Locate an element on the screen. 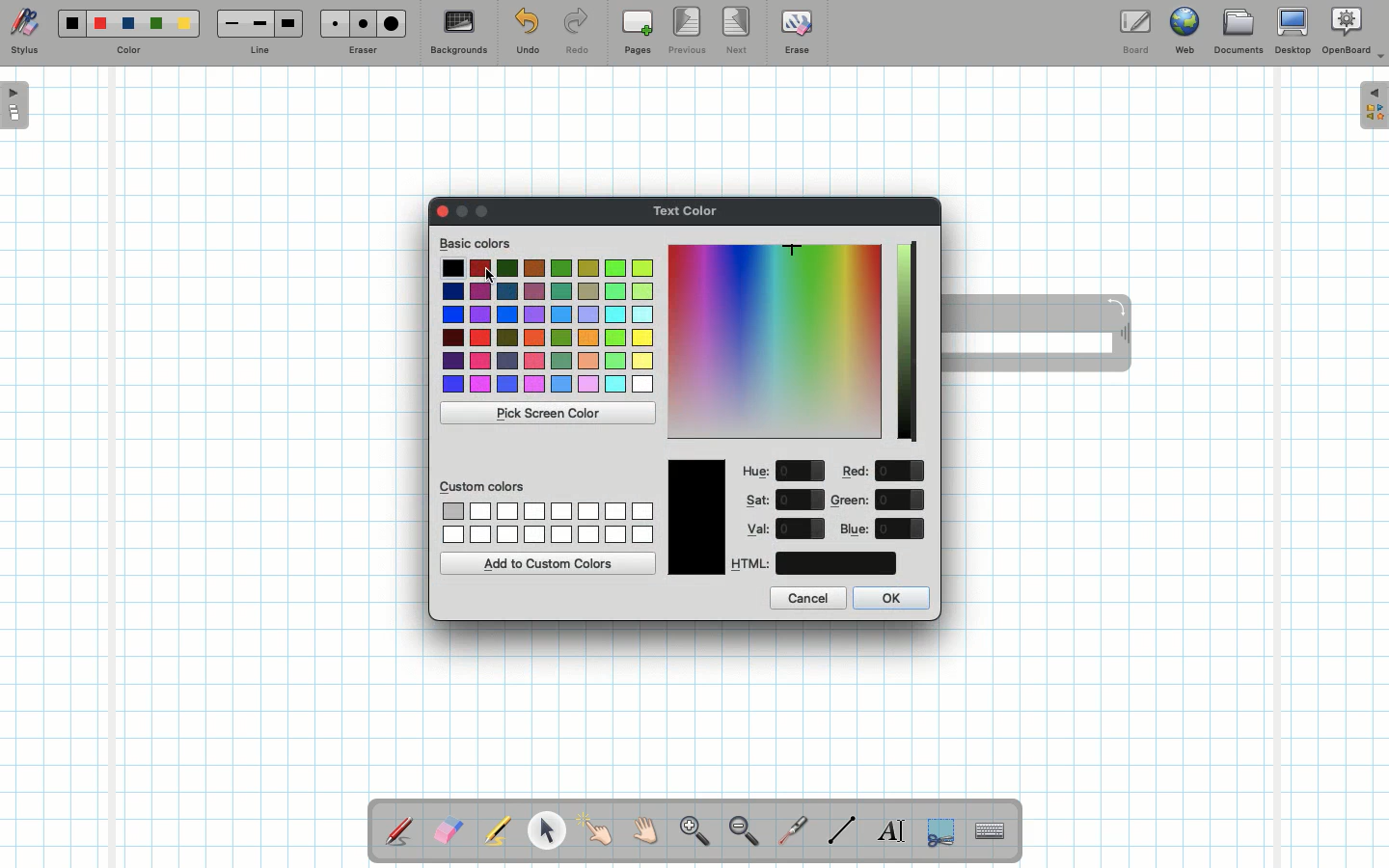  Medium eraser is located at coordinates (360, 23).